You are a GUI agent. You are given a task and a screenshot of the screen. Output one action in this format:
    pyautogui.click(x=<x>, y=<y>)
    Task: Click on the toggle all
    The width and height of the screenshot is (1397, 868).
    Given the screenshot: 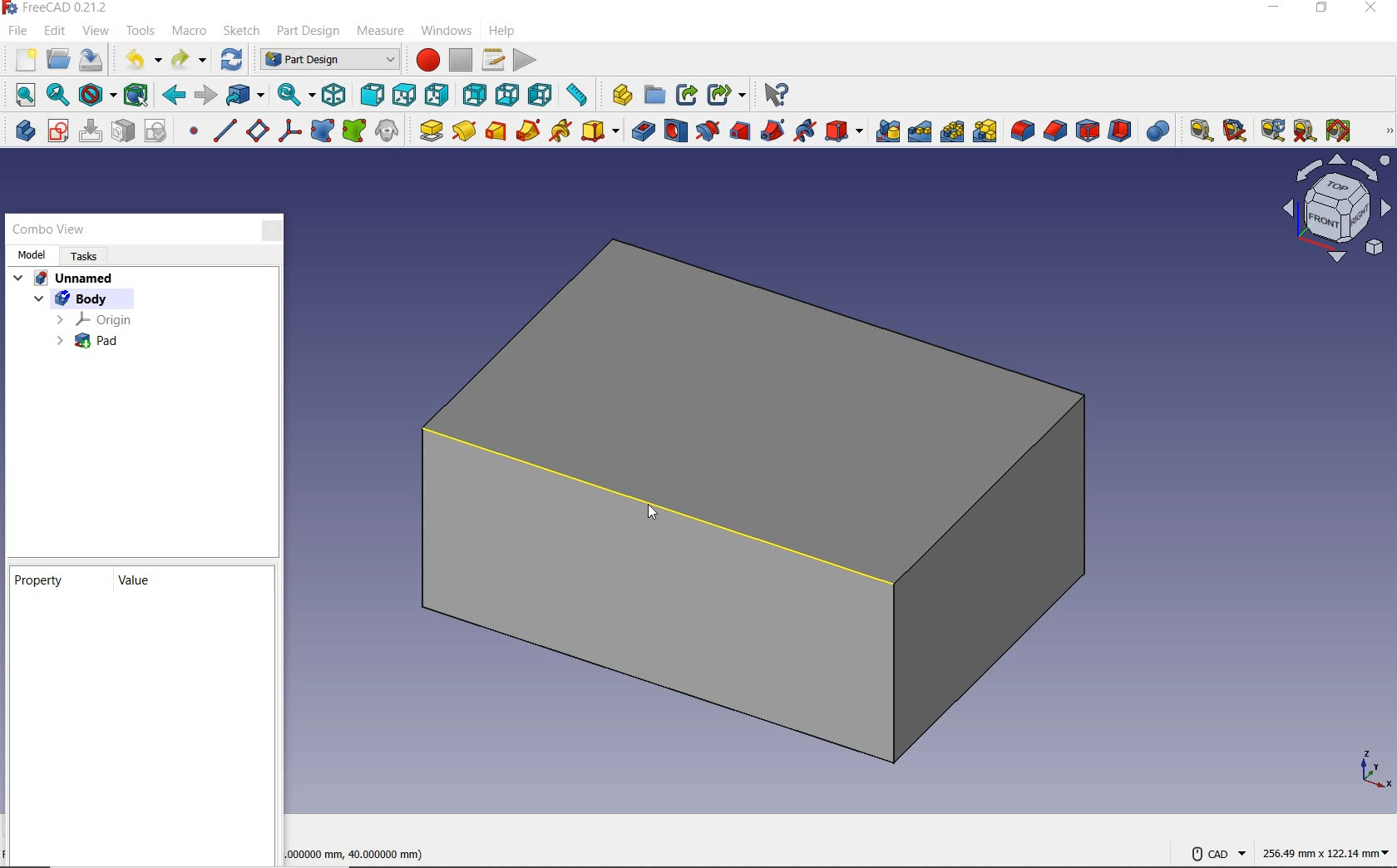 What is the action you would take?
    pyautogui.click(x=1340, y=131)
    